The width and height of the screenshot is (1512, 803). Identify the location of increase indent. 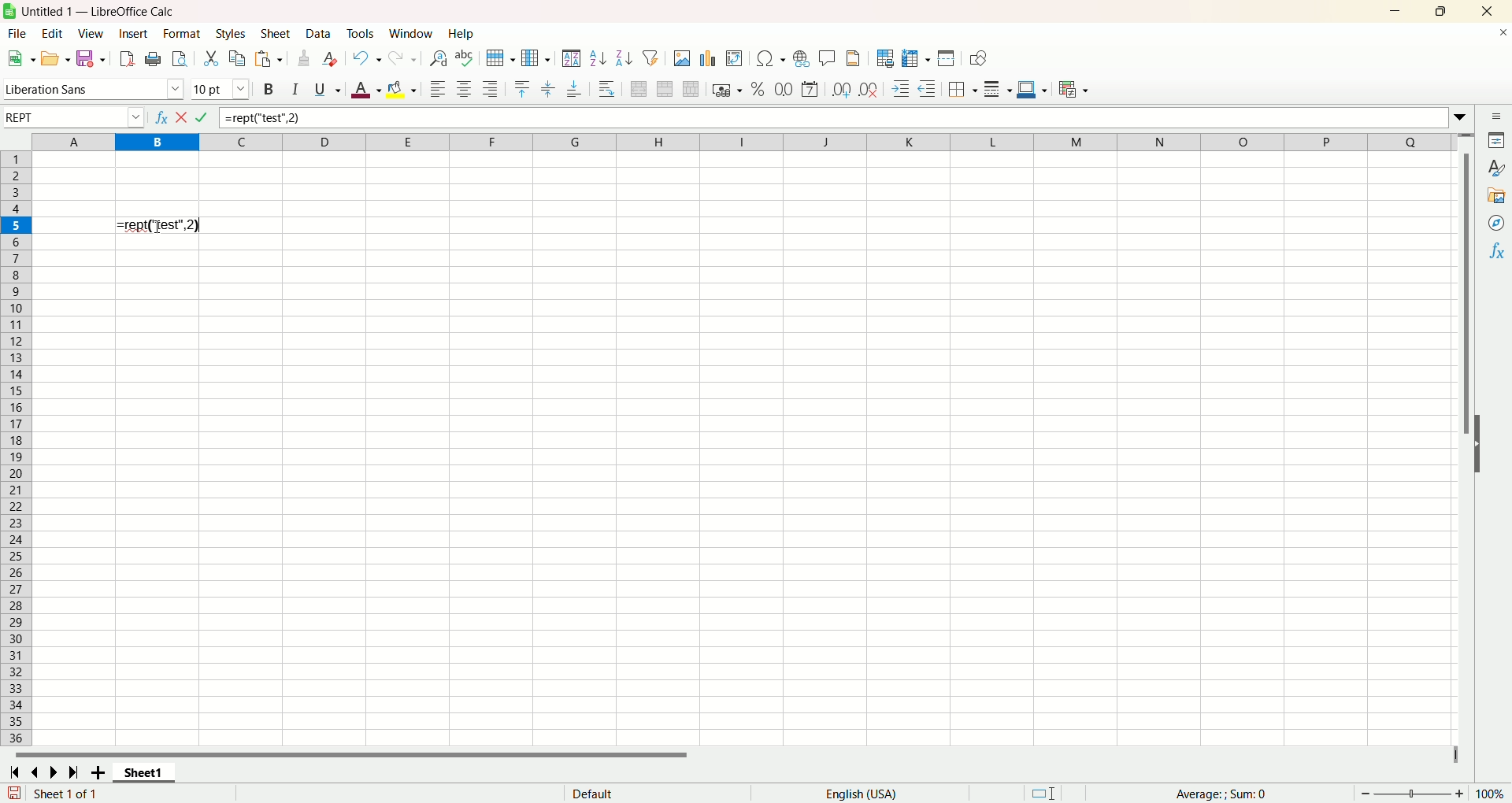
(899, 90).